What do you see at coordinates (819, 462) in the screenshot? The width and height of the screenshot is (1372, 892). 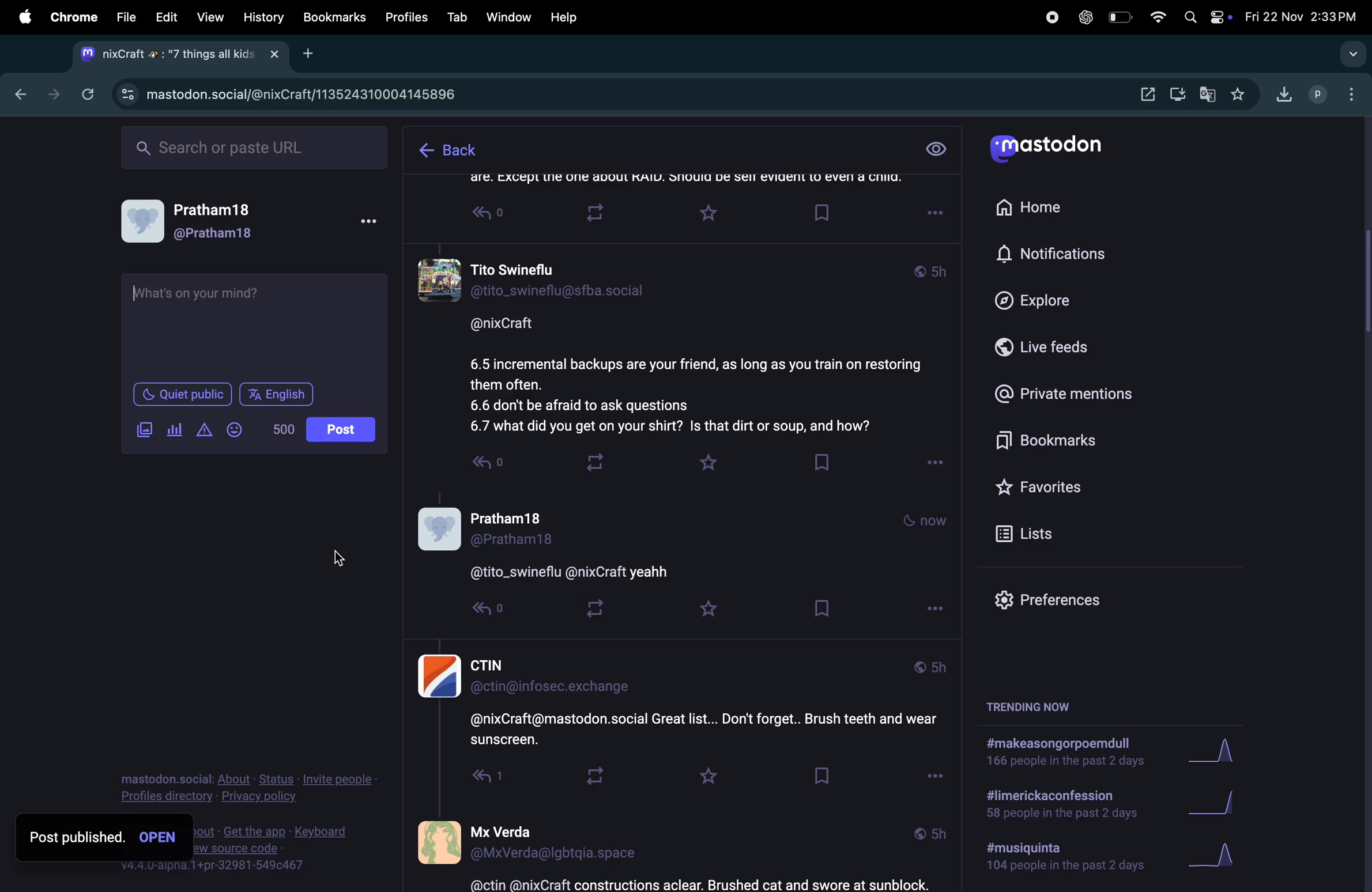 I see `book mark` at bounding box center [819, 462].